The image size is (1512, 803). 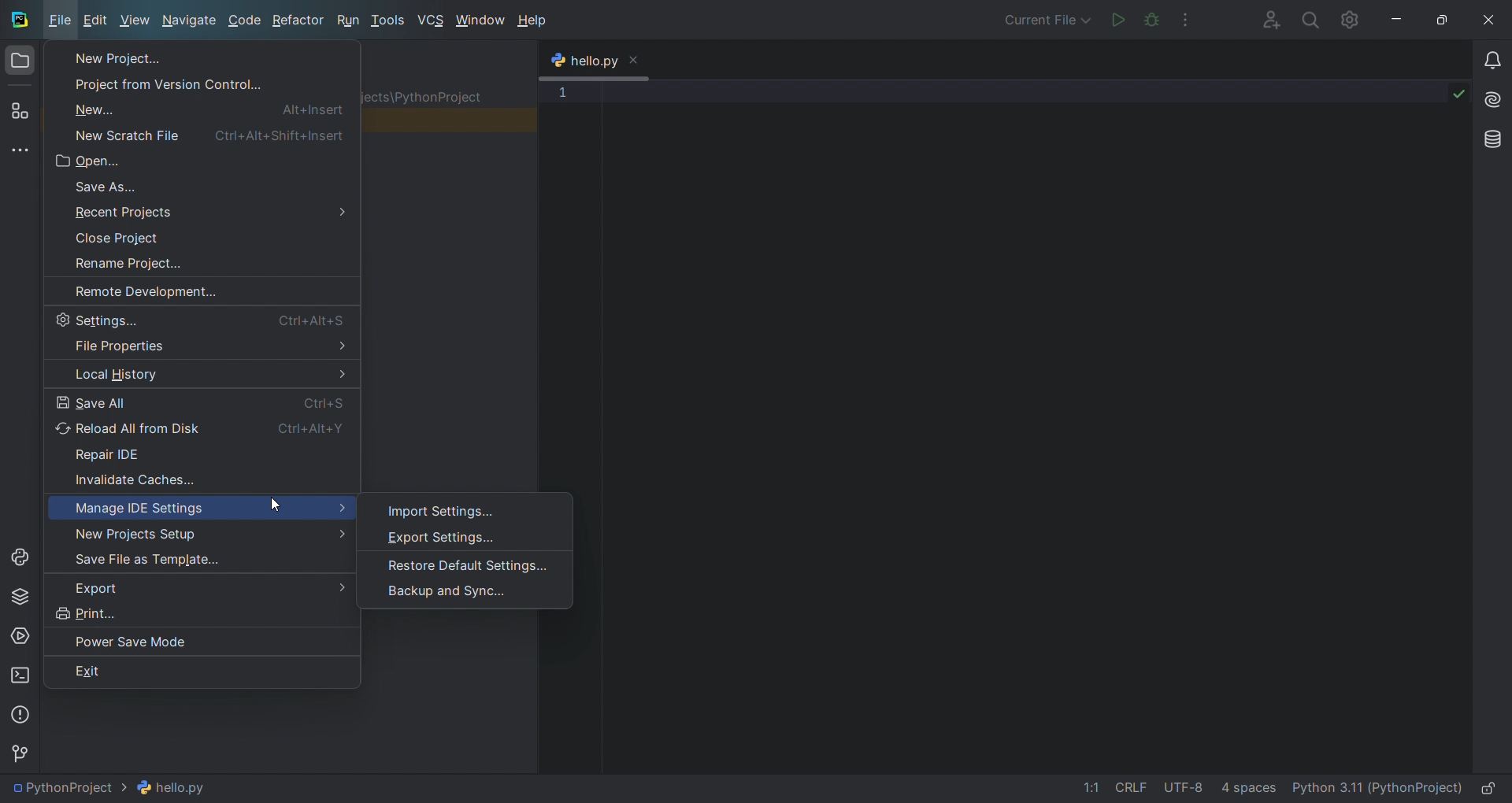 I want to click on folder window, so click(x=20, y=65).